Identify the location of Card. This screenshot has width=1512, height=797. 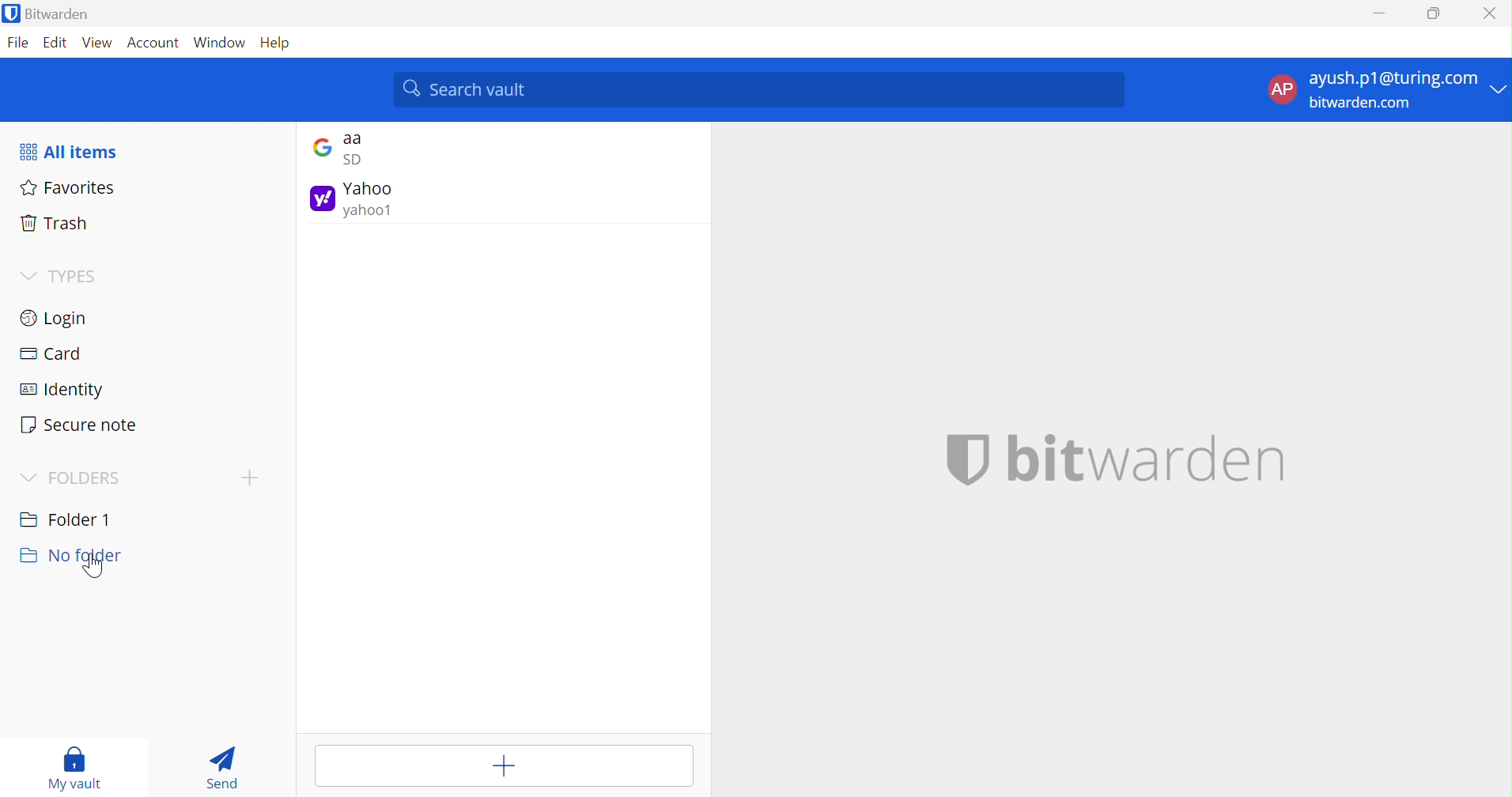
(54, 353).